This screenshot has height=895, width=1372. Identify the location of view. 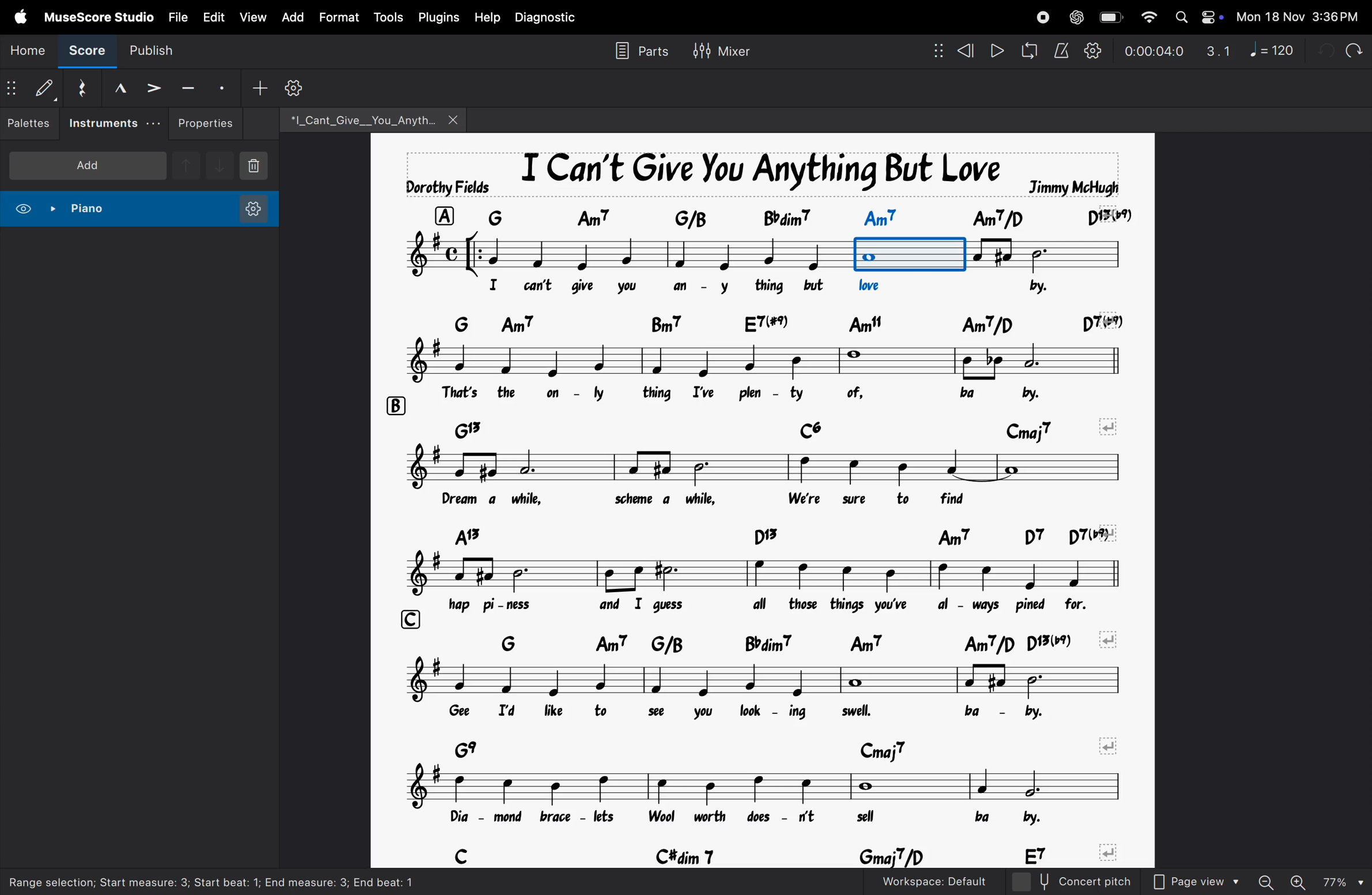
(252, 17).